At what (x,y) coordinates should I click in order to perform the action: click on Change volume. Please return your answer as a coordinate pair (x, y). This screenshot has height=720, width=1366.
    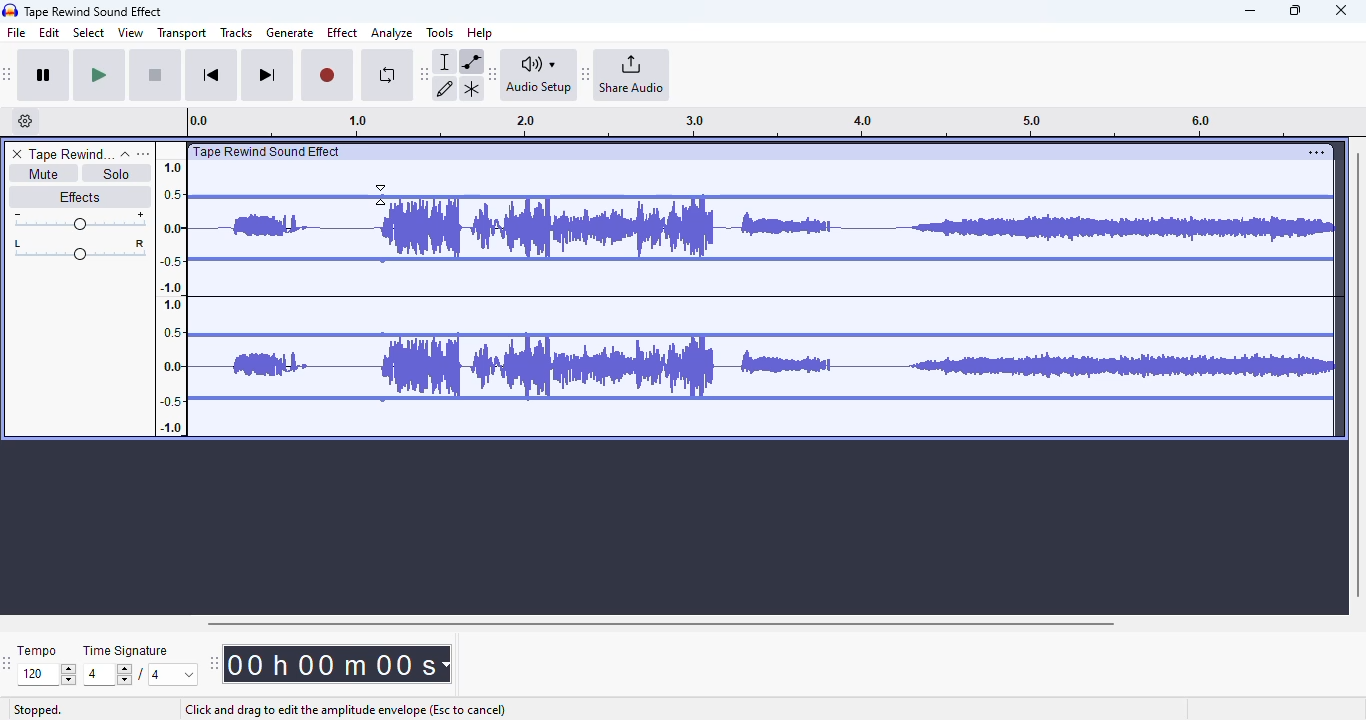
    Looking at the image, I should click on (79, 221).